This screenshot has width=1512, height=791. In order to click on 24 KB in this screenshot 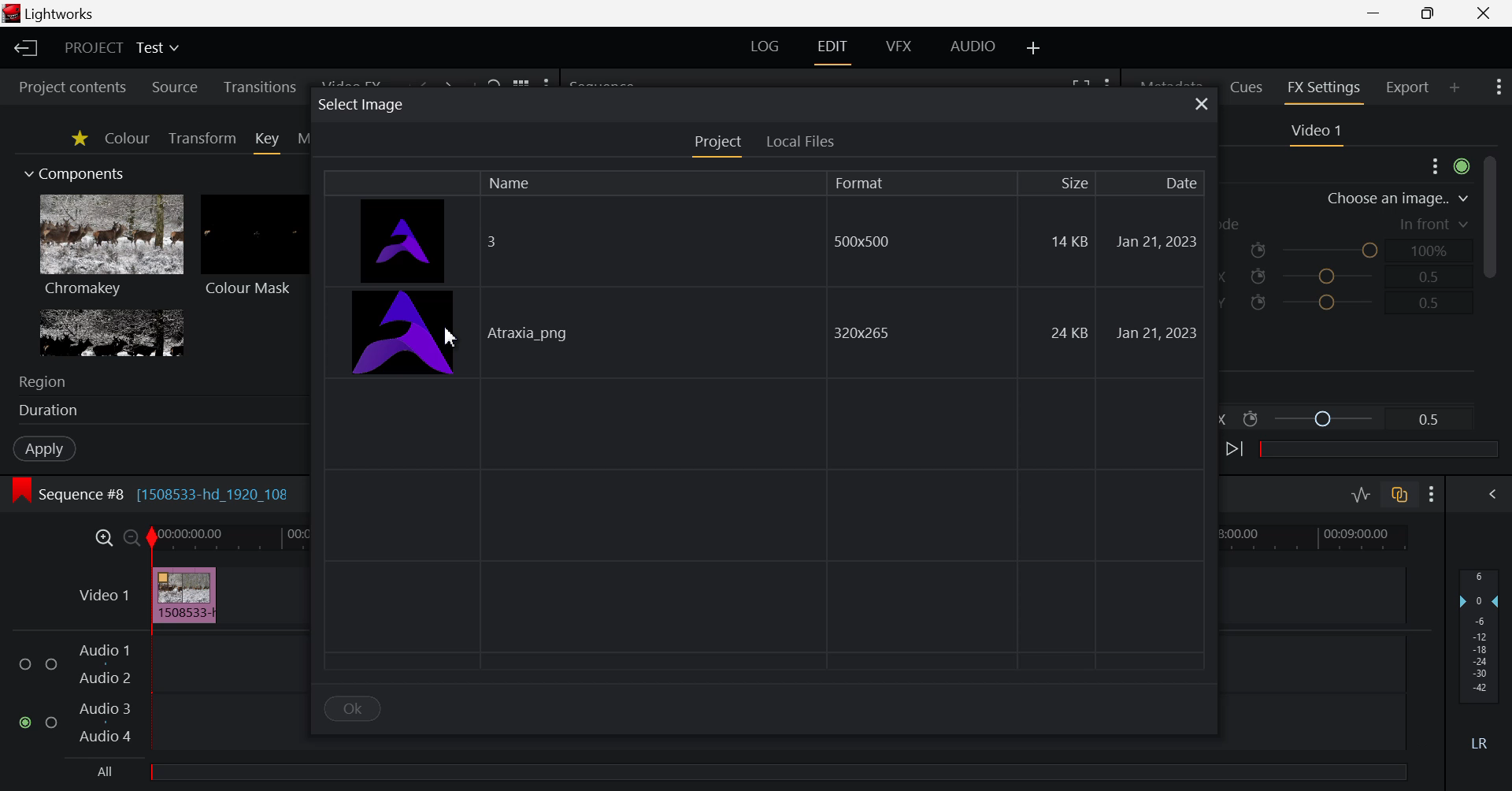, I will do `click(1061, 331)`.